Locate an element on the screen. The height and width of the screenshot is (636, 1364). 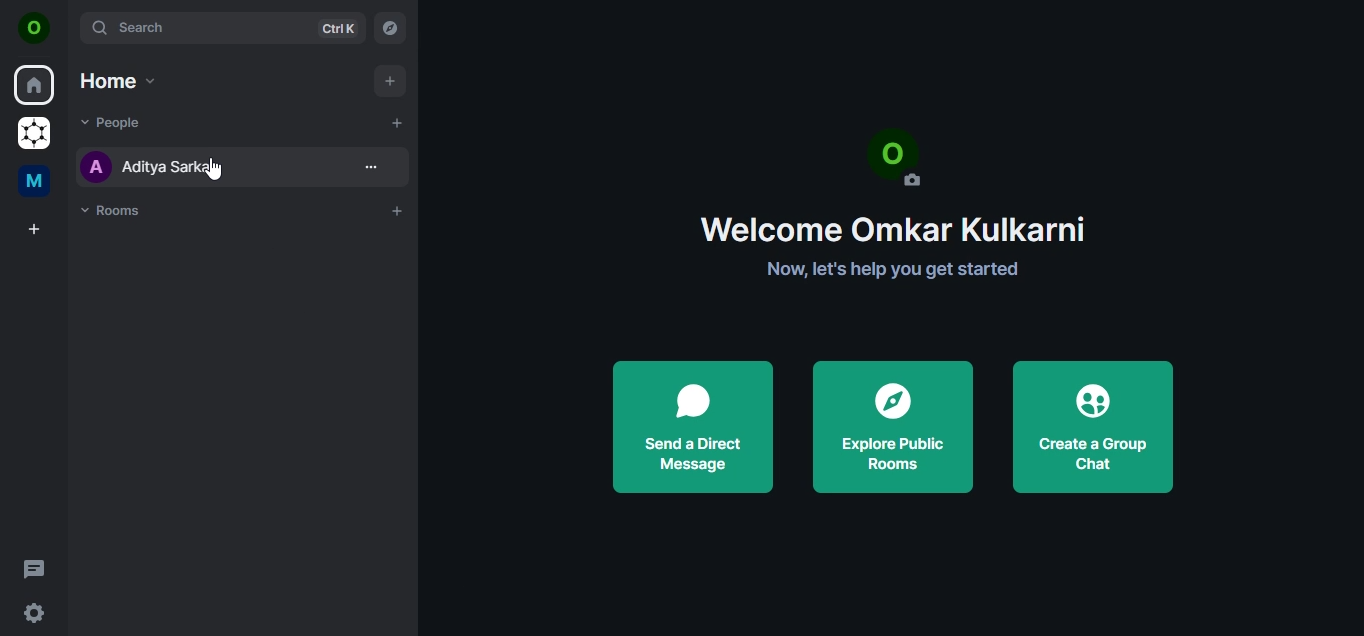
home is located at coordinates (120, 80).